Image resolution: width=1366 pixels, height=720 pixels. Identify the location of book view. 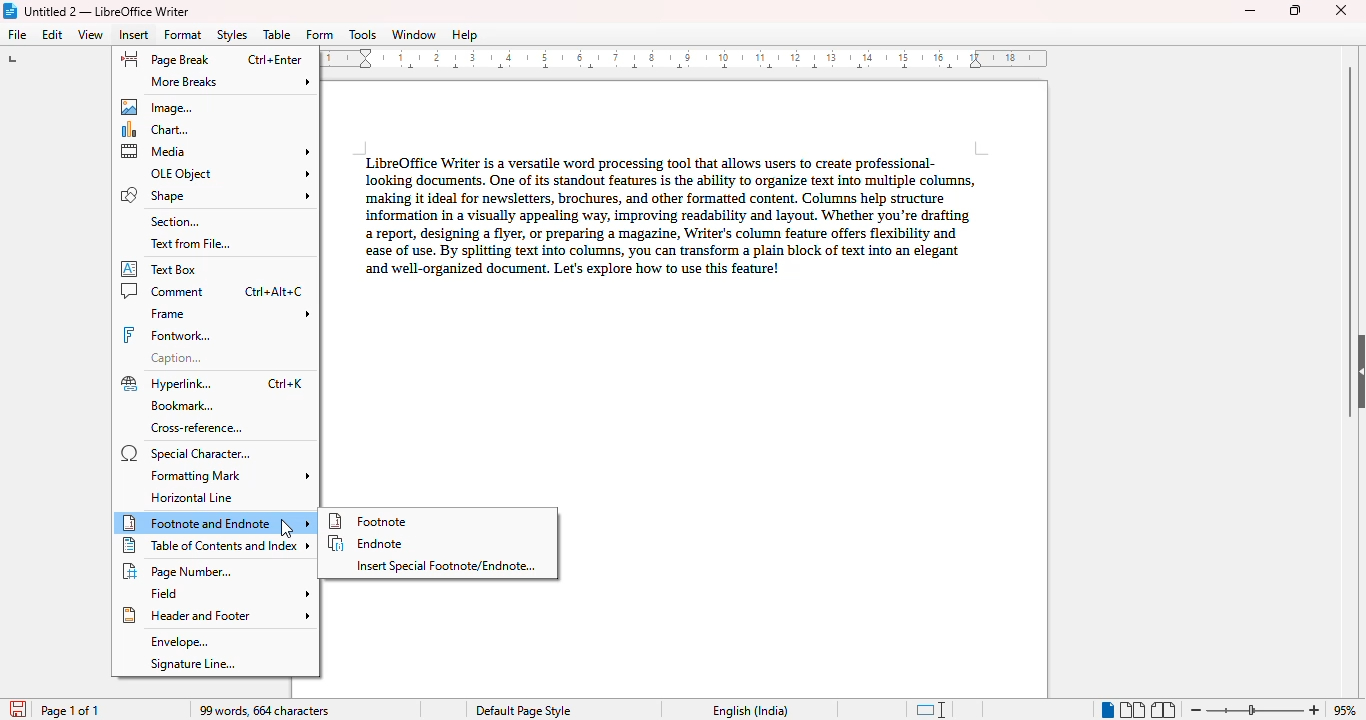
(1162, 709).